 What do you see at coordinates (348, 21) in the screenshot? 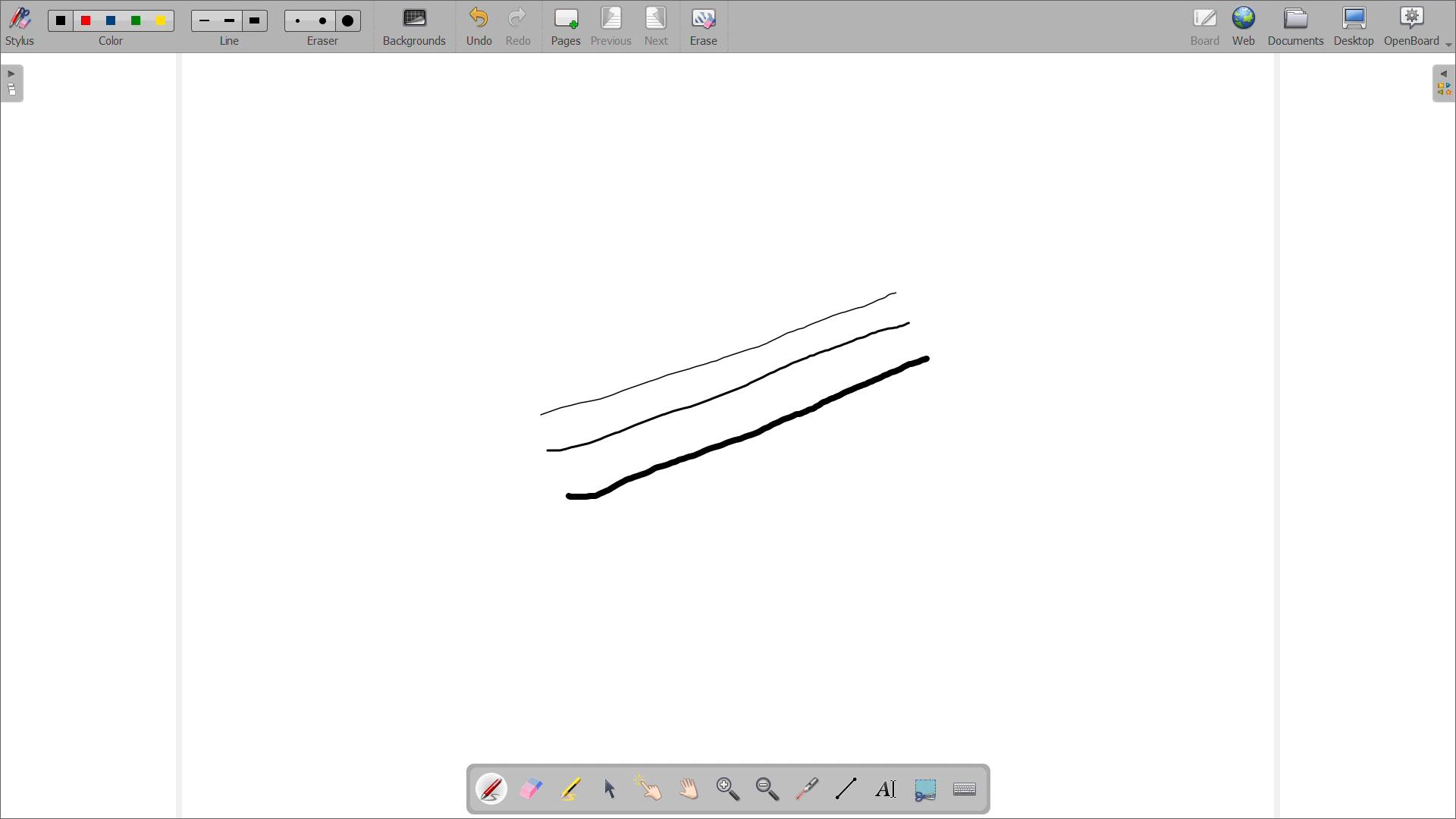
I see `Eraser size` at bounding box center [348, 21].